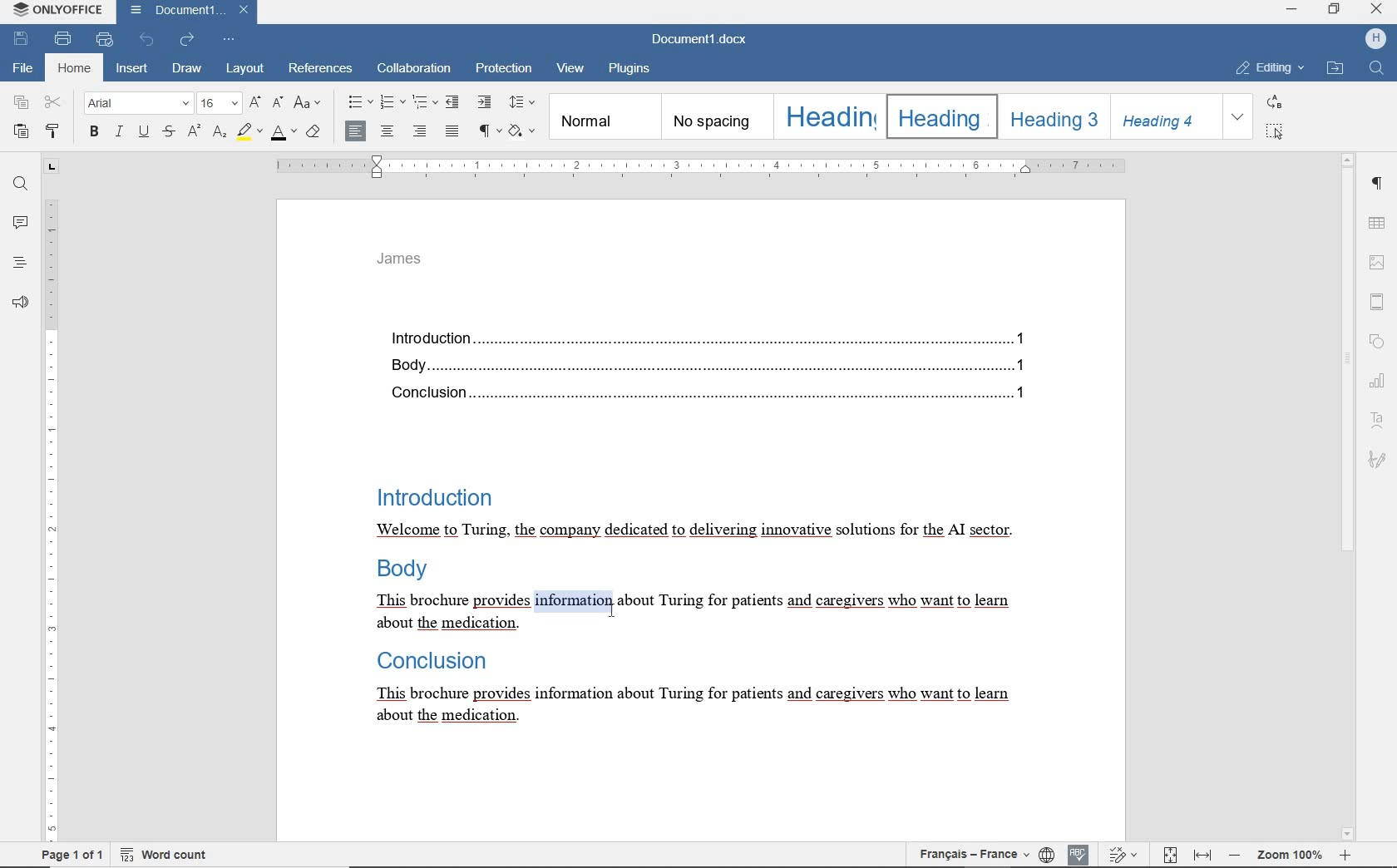 The image size is (1397, 868). Describe the element at coordinates (146, 39) in the screenshot. I see `UNDO` at that location.